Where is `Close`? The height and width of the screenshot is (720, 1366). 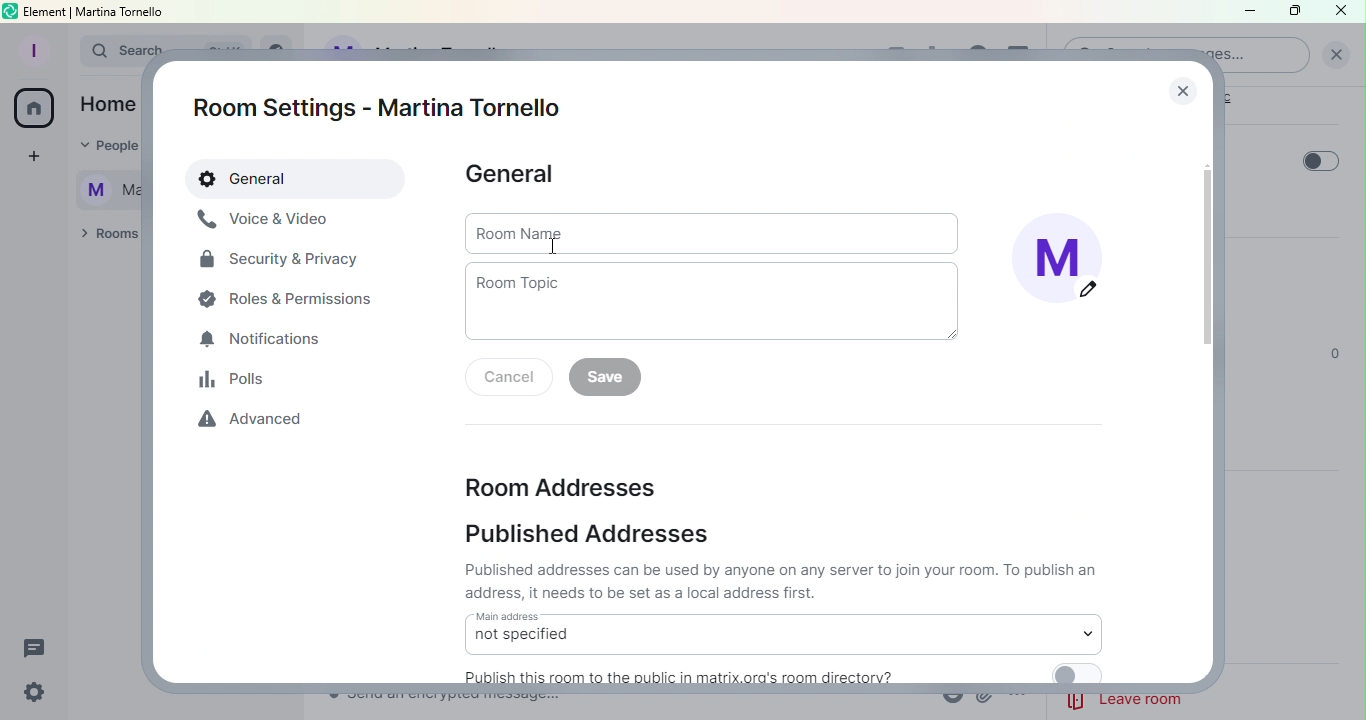 Close is located at coordinates (1346, 12).